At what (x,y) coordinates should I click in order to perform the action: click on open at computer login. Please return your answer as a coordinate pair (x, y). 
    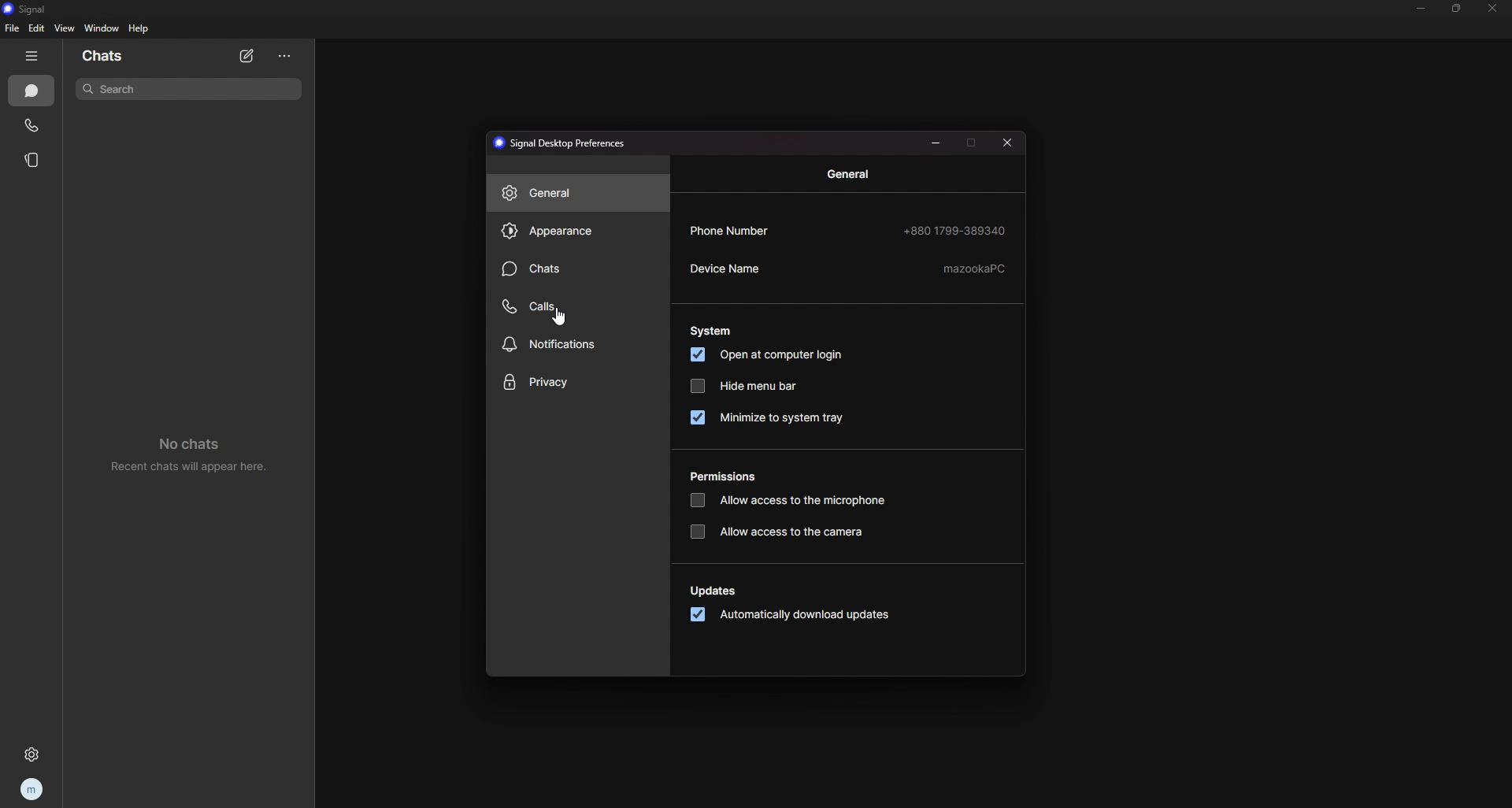
    Looking at the image, I should click on (769, 355).